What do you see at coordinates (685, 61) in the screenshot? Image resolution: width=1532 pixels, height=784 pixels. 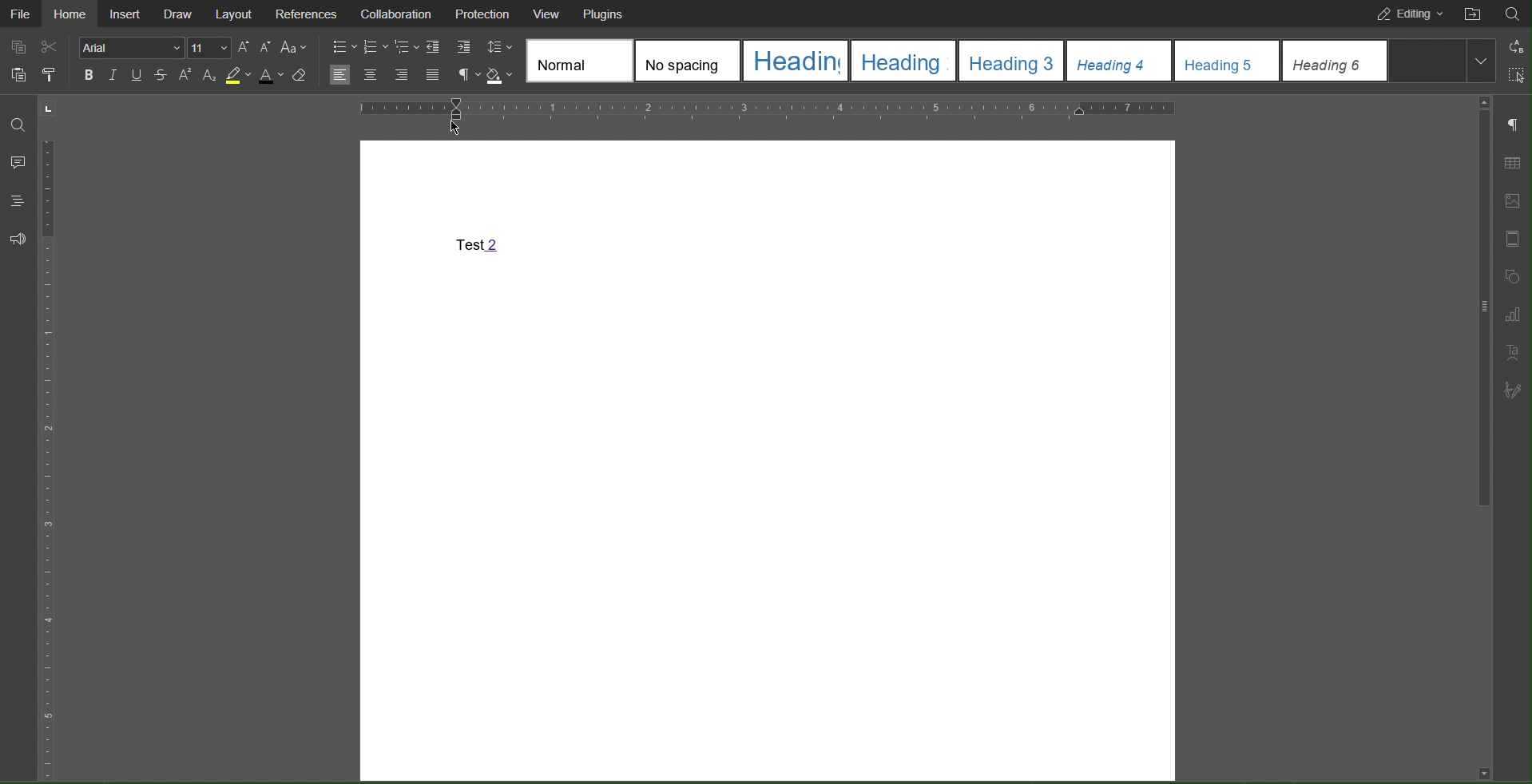 I see `No Spacing` at bounding box center [685, 61].